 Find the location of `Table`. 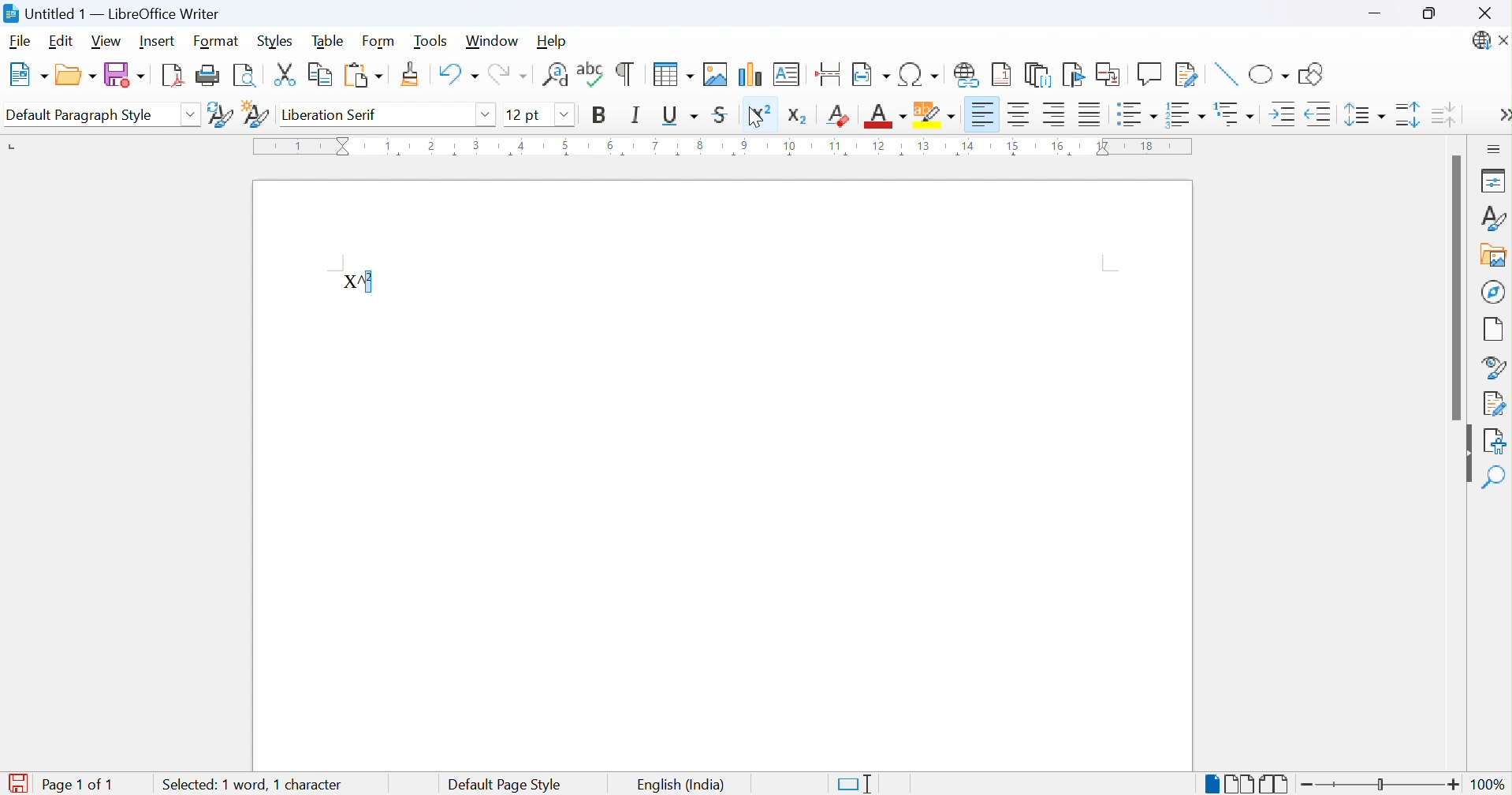

Table is located at coordinates (326, 40).